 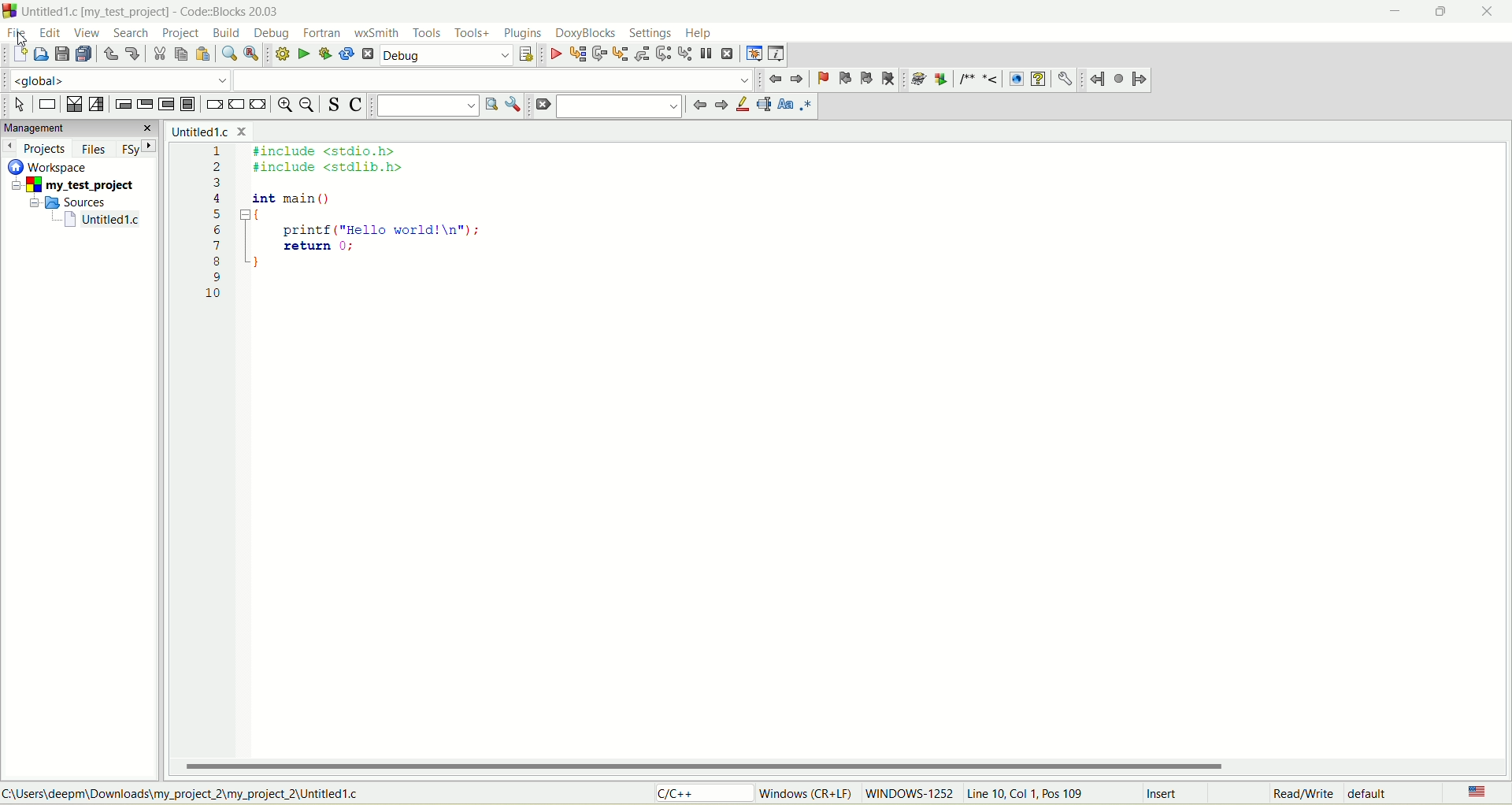 What do you see at coordinates (620, 105) in the screenshot?
I see `blank space` at bounding box center [620, 105].